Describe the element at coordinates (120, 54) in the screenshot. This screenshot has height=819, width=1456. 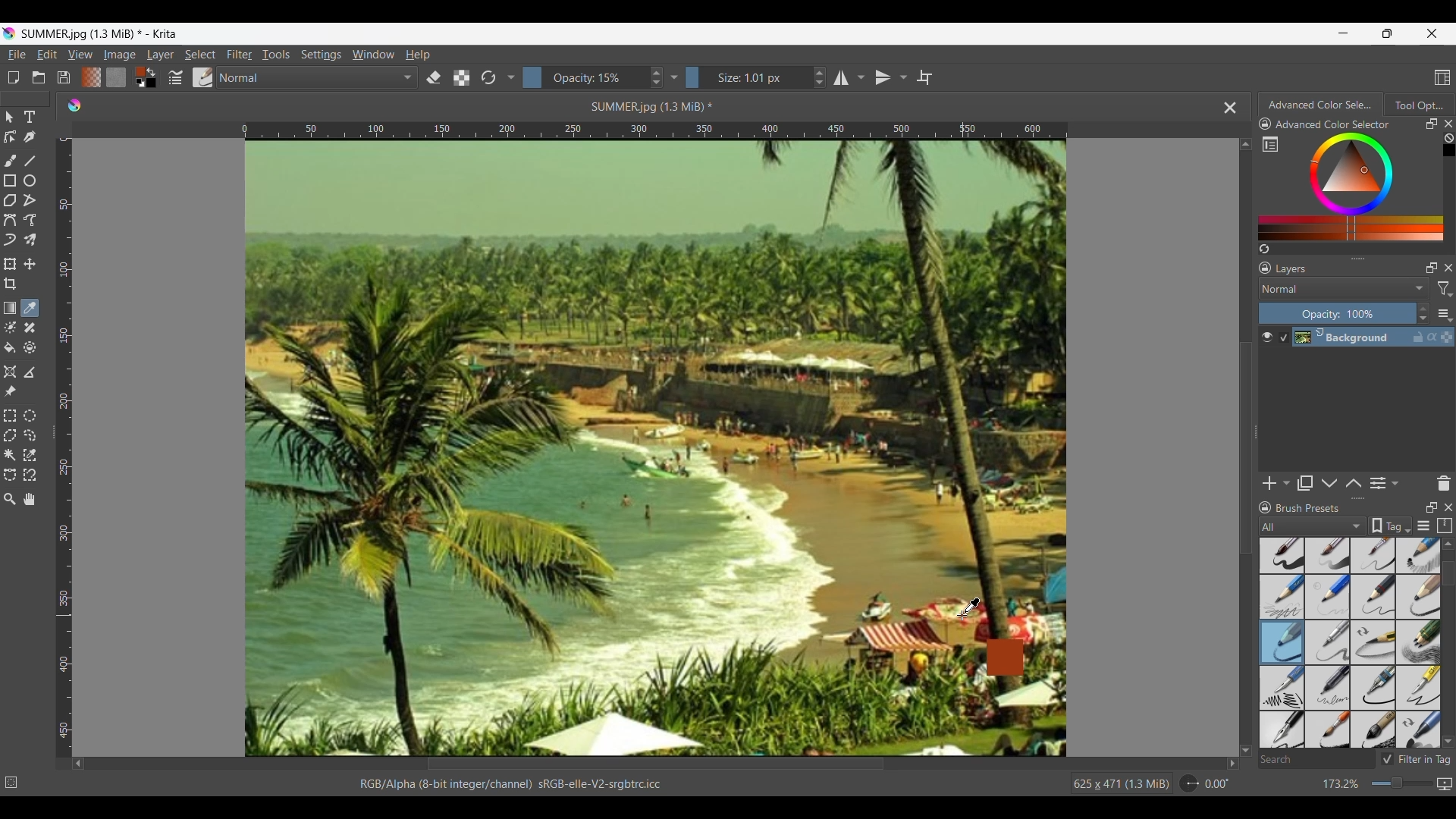
I see `Image menu` at that location.